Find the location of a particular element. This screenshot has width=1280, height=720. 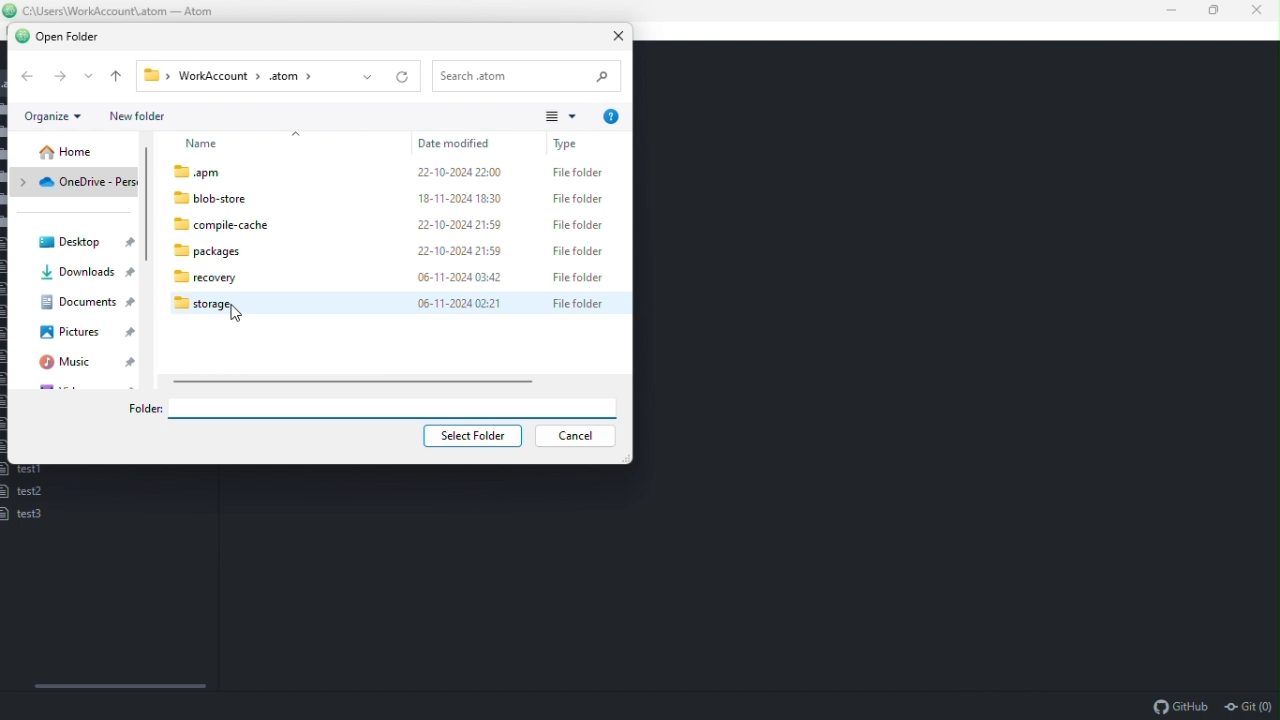

Restore is located at coordinates (1217, 10).